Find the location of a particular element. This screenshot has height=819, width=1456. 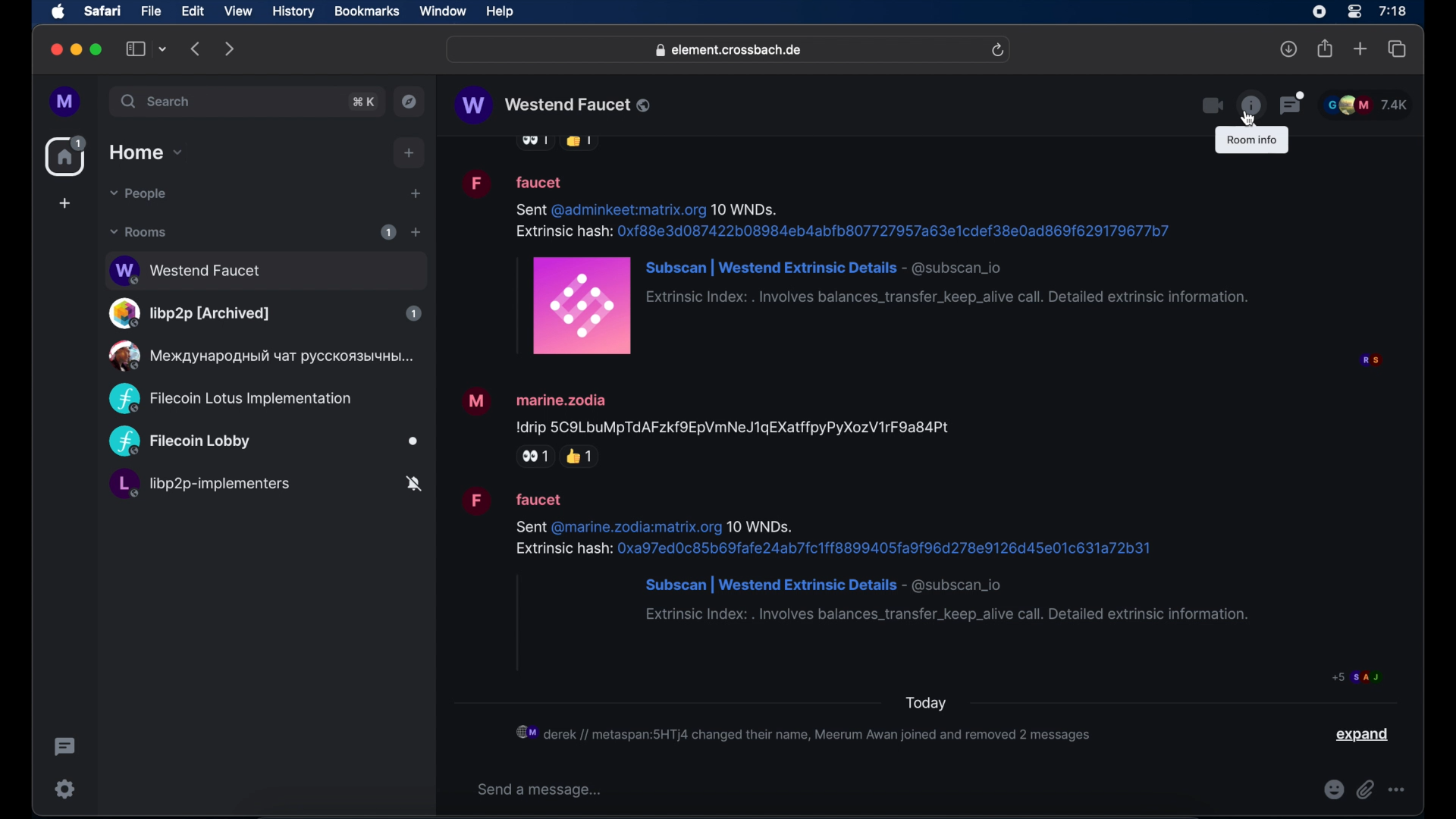

tab group picker is located at coordinates (163, 49).